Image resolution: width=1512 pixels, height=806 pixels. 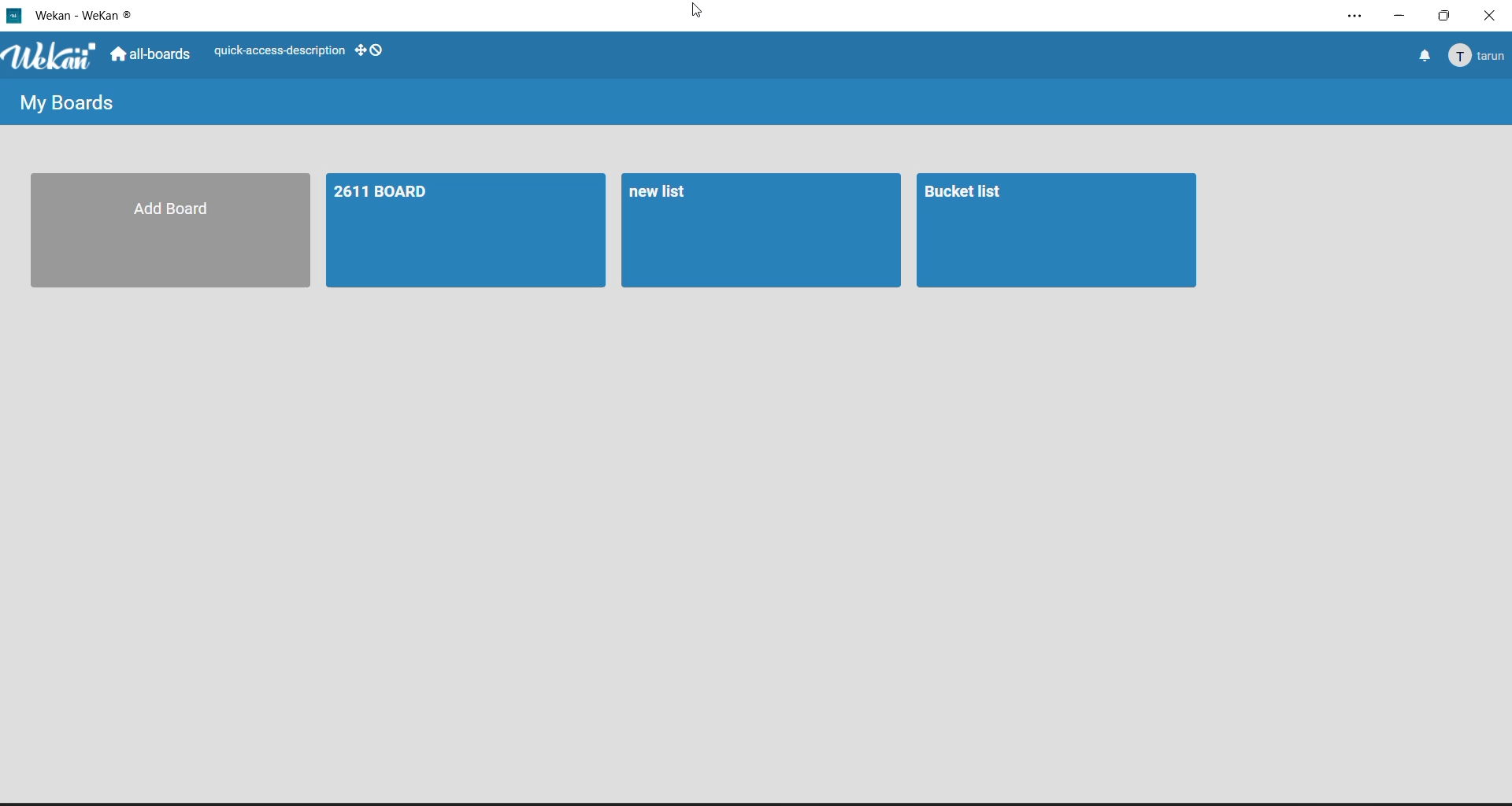 What do you see at coordinates (459, 230) in the screenshot?
I see `2611 BOARD` at bounding box center [459, 230].